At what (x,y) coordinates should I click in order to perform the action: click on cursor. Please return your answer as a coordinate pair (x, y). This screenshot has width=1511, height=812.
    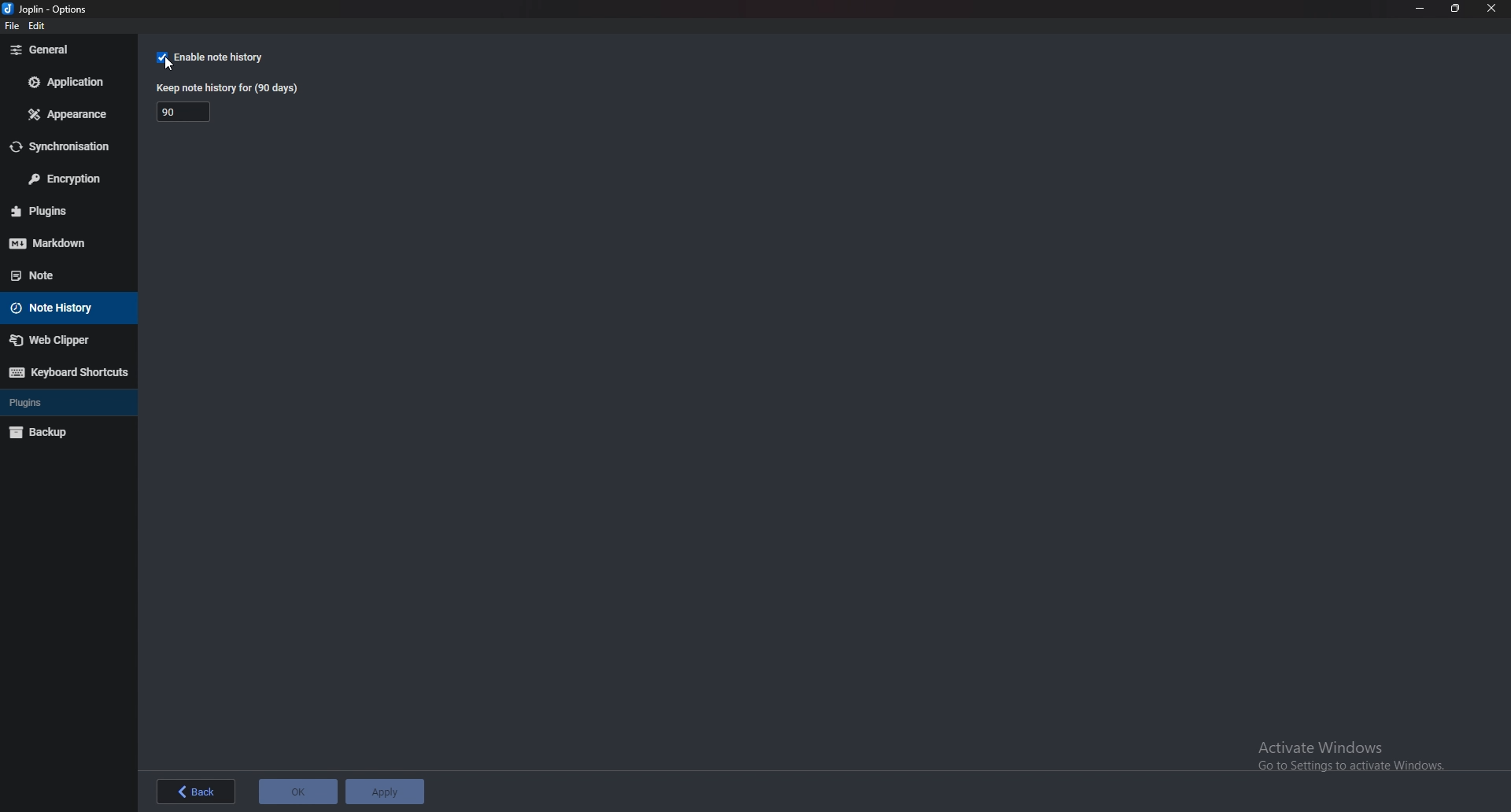
    Looking at the image, I should click on (173, 64).